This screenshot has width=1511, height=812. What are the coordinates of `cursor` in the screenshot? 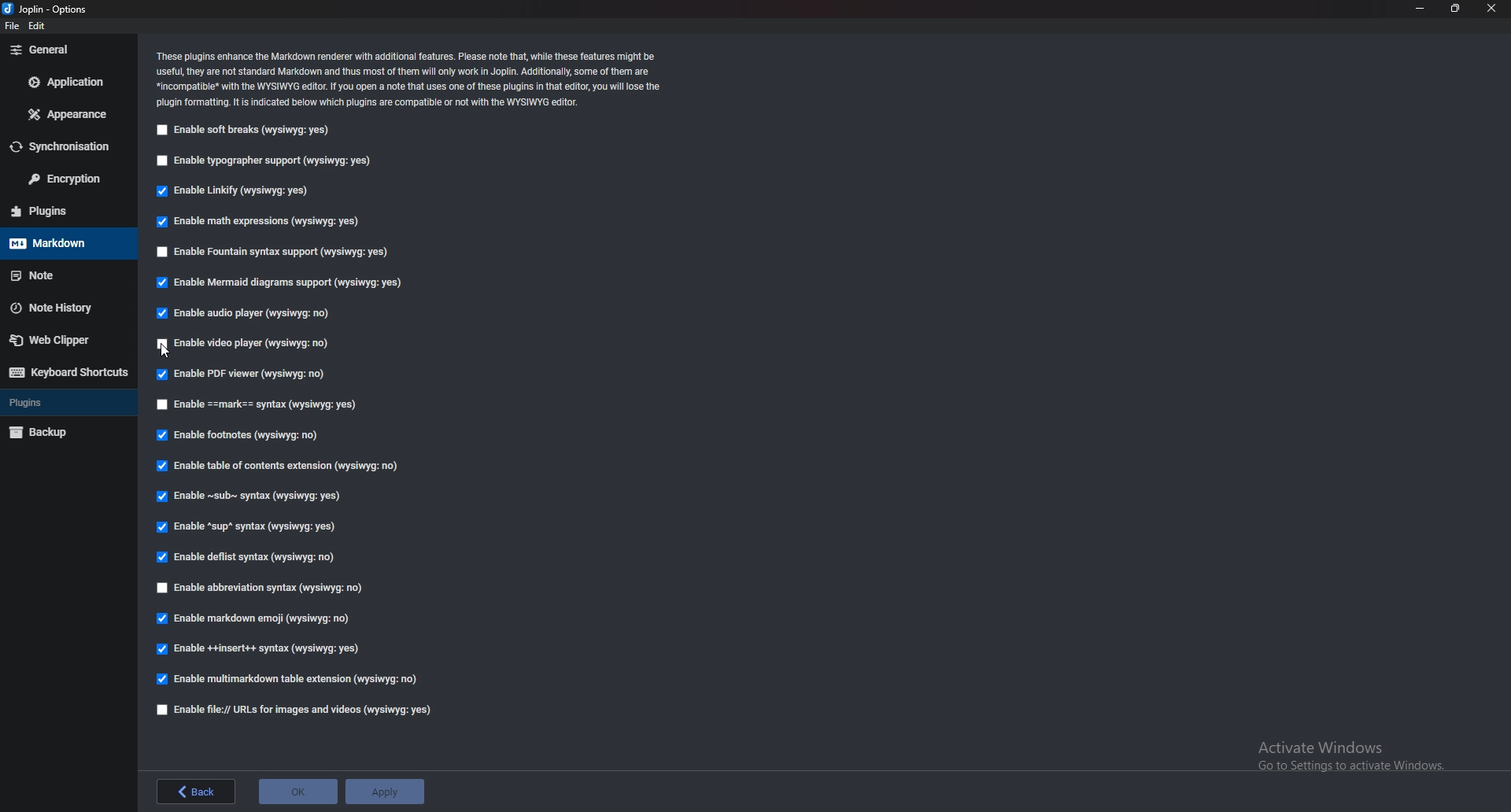 It's located at (167, 352).